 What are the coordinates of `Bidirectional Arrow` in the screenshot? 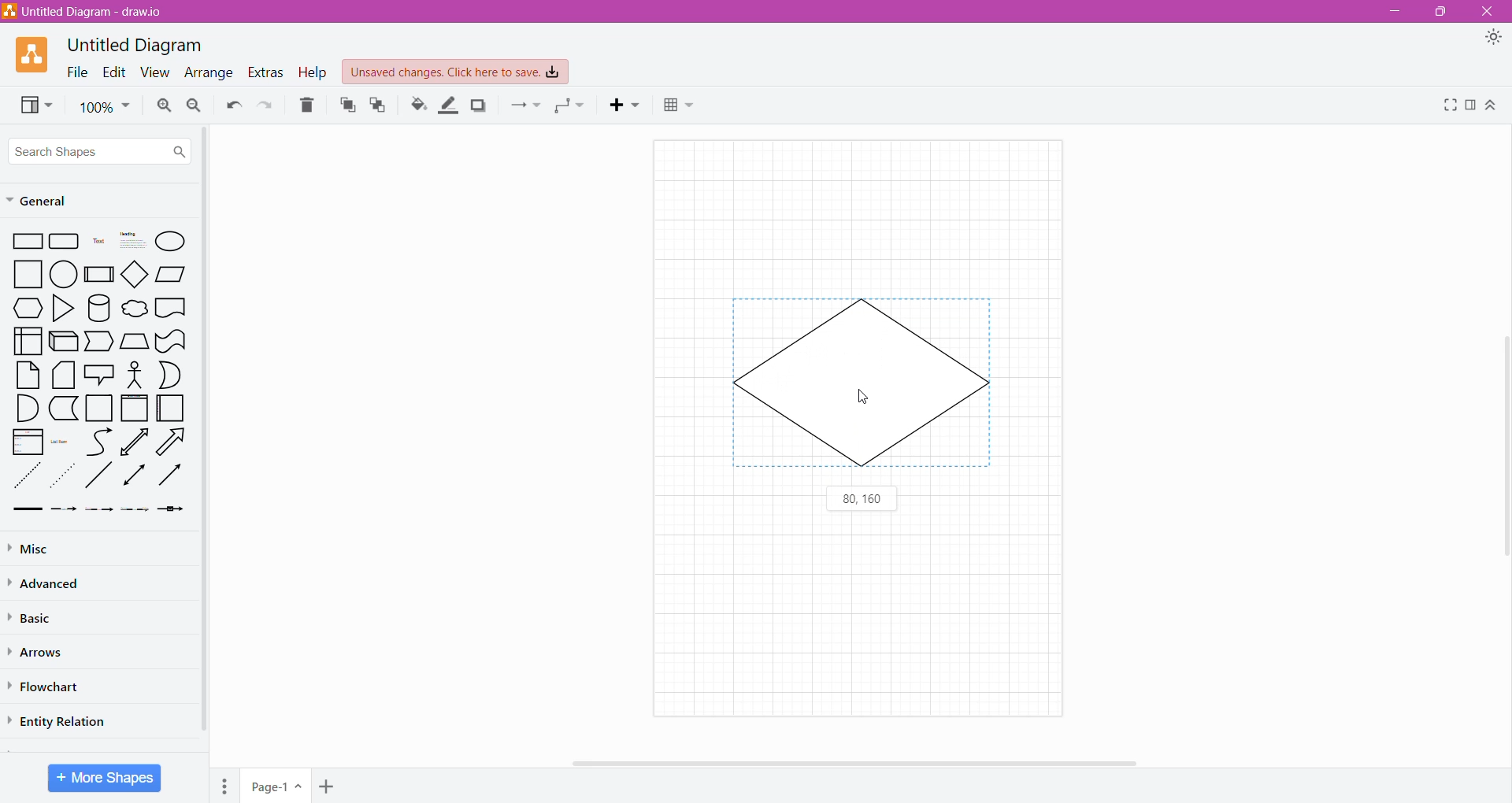 It's located at (135, 442).